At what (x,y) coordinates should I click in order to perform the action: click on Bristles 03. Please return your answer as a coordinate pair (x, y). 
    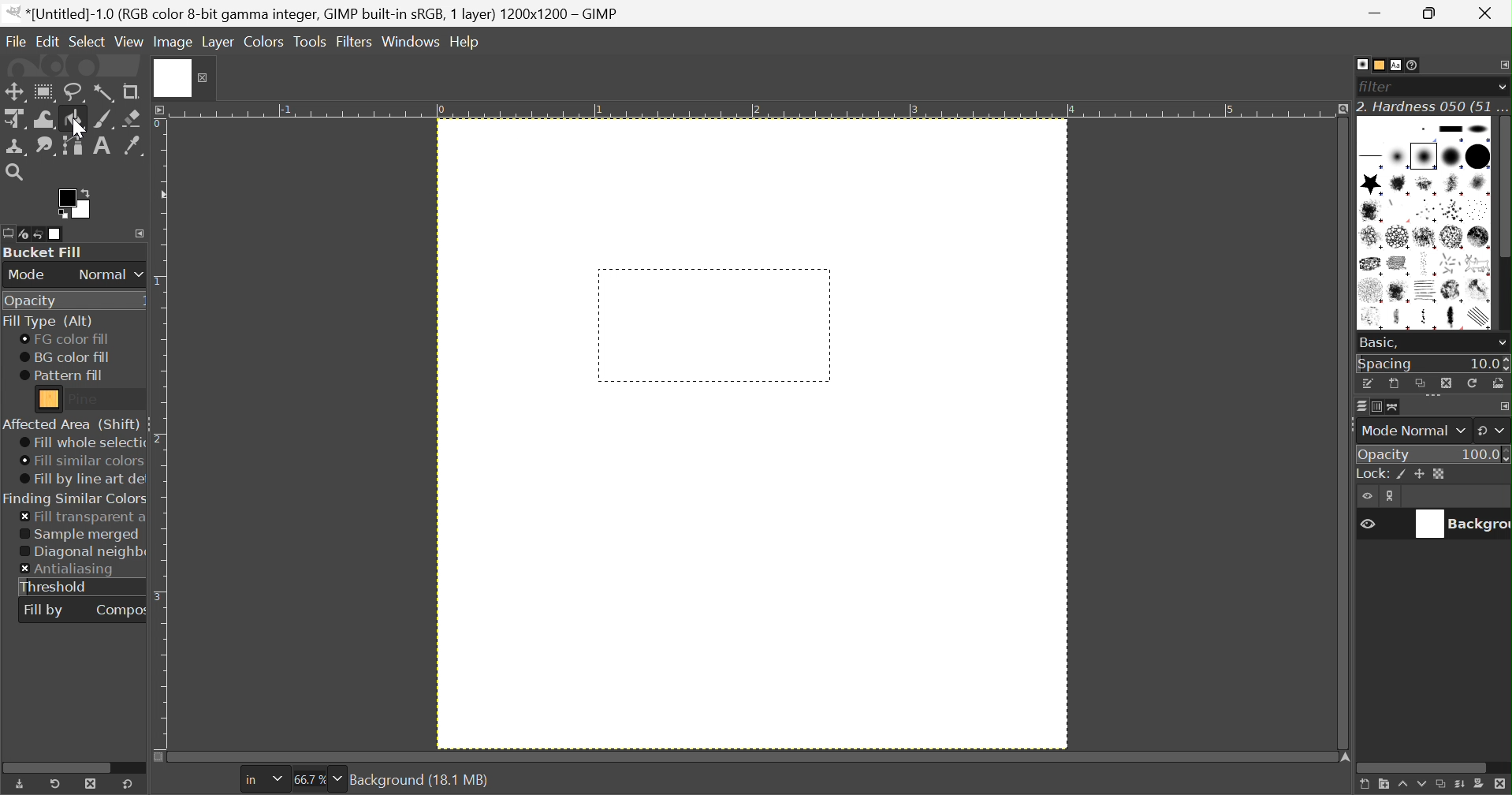
    Looking at the image, I should click on (1480, 211).